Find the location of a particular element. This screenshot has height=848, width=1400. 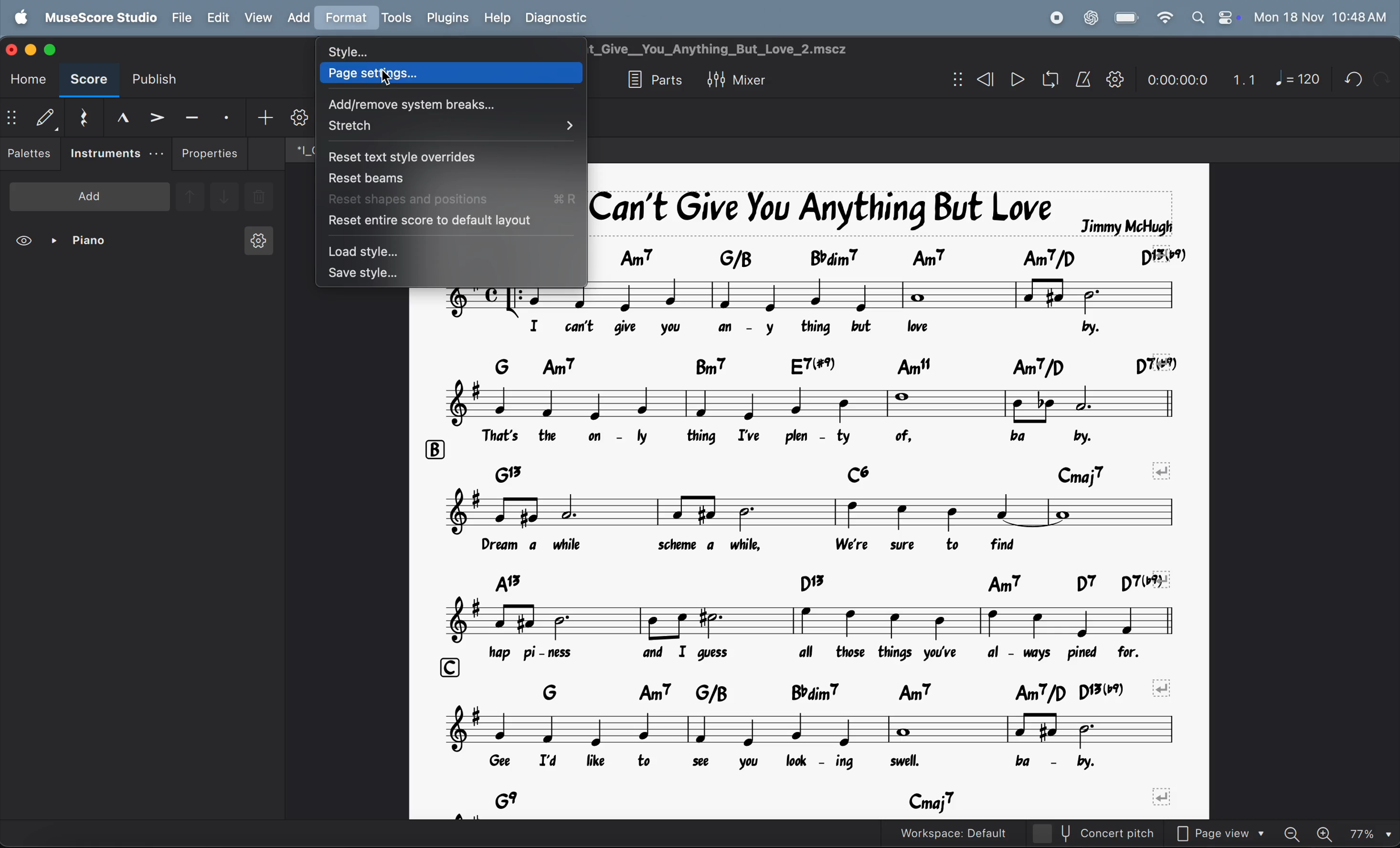

chord symbols is located at coordinates (897, 256).